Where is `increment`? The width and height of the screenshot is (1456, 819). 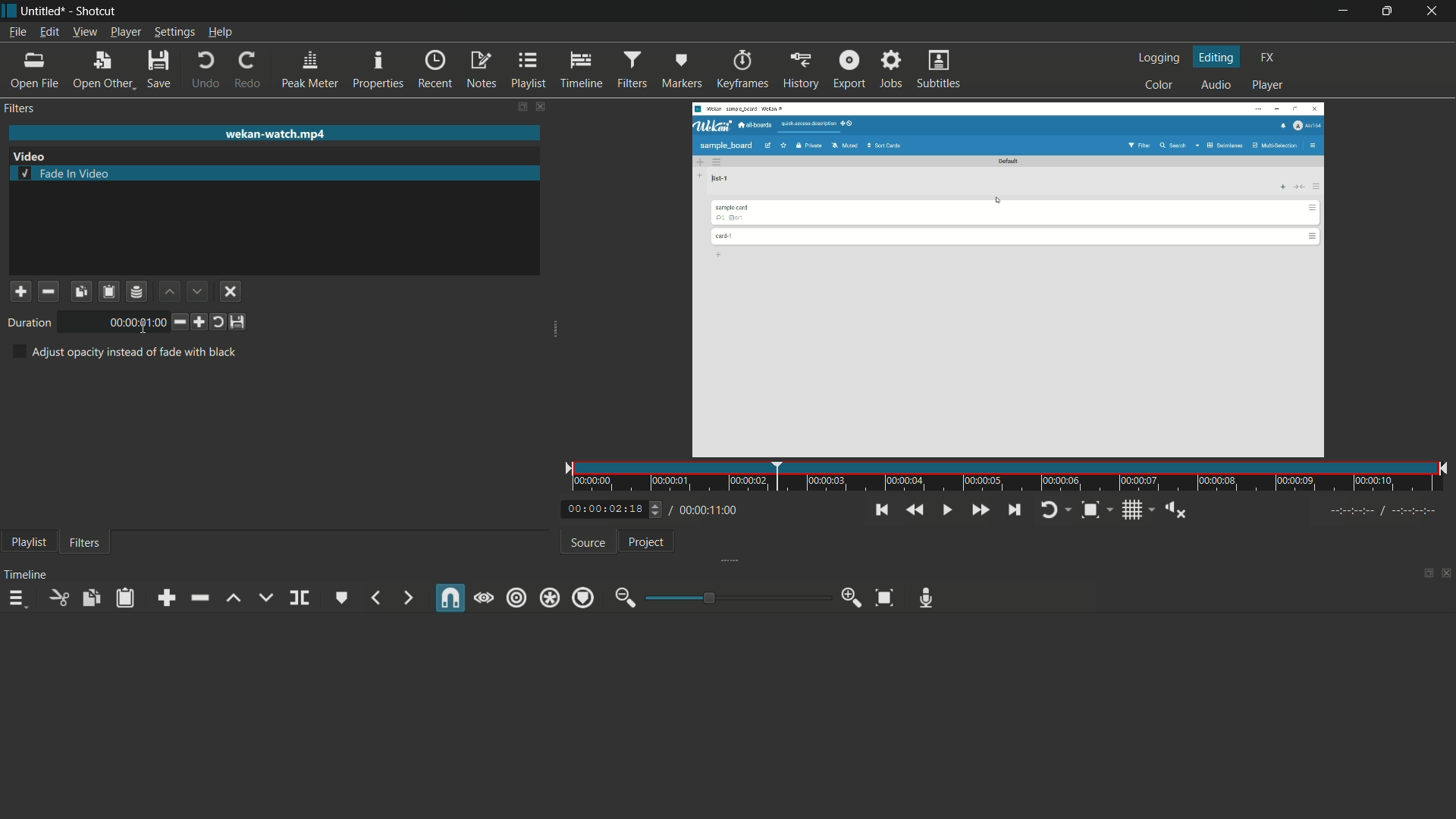 increment is located at coordinates (199, 322).